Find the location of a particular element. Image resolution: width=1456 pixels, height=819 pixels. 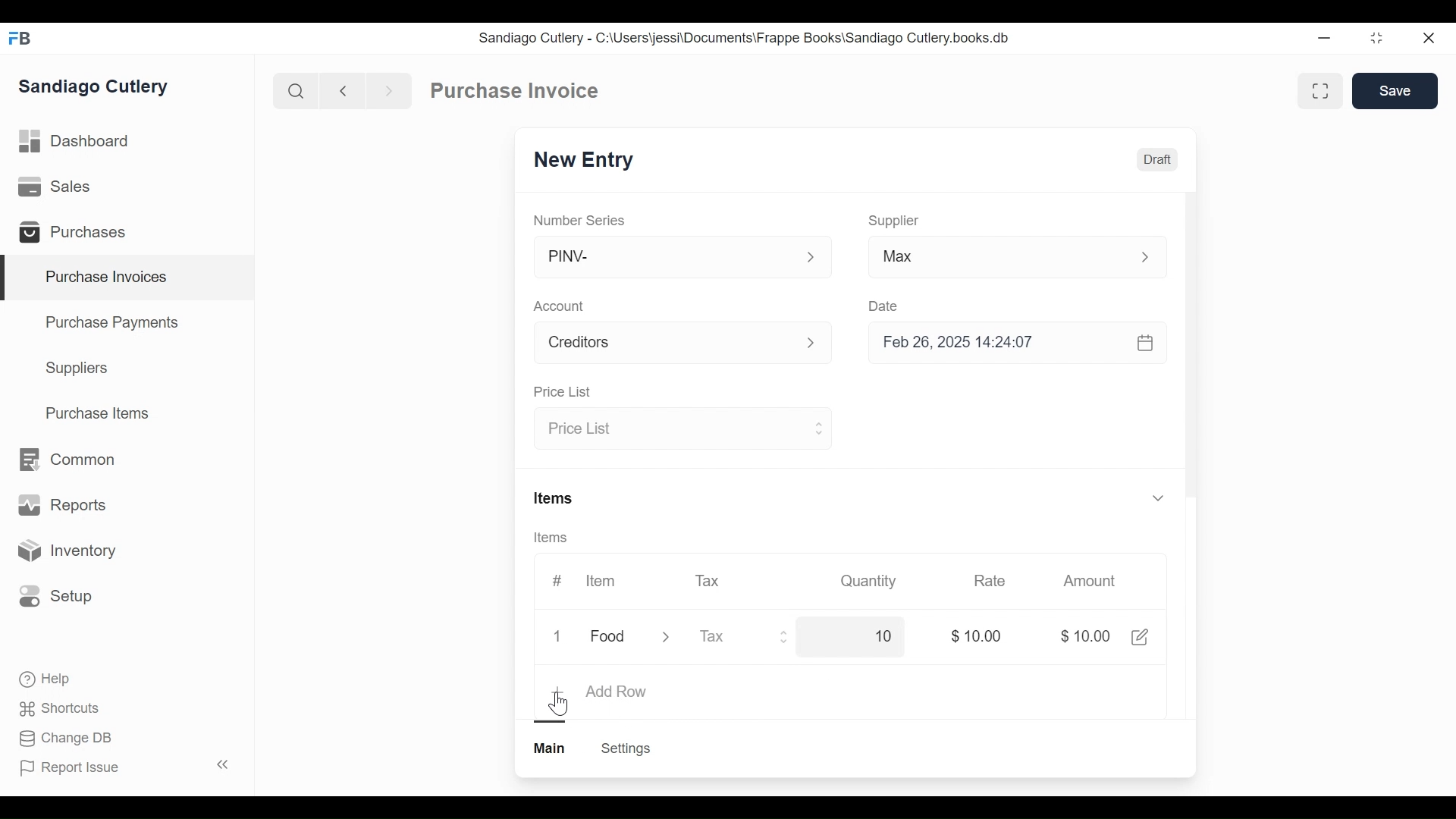

Expand is located at coordinates (676, 638).